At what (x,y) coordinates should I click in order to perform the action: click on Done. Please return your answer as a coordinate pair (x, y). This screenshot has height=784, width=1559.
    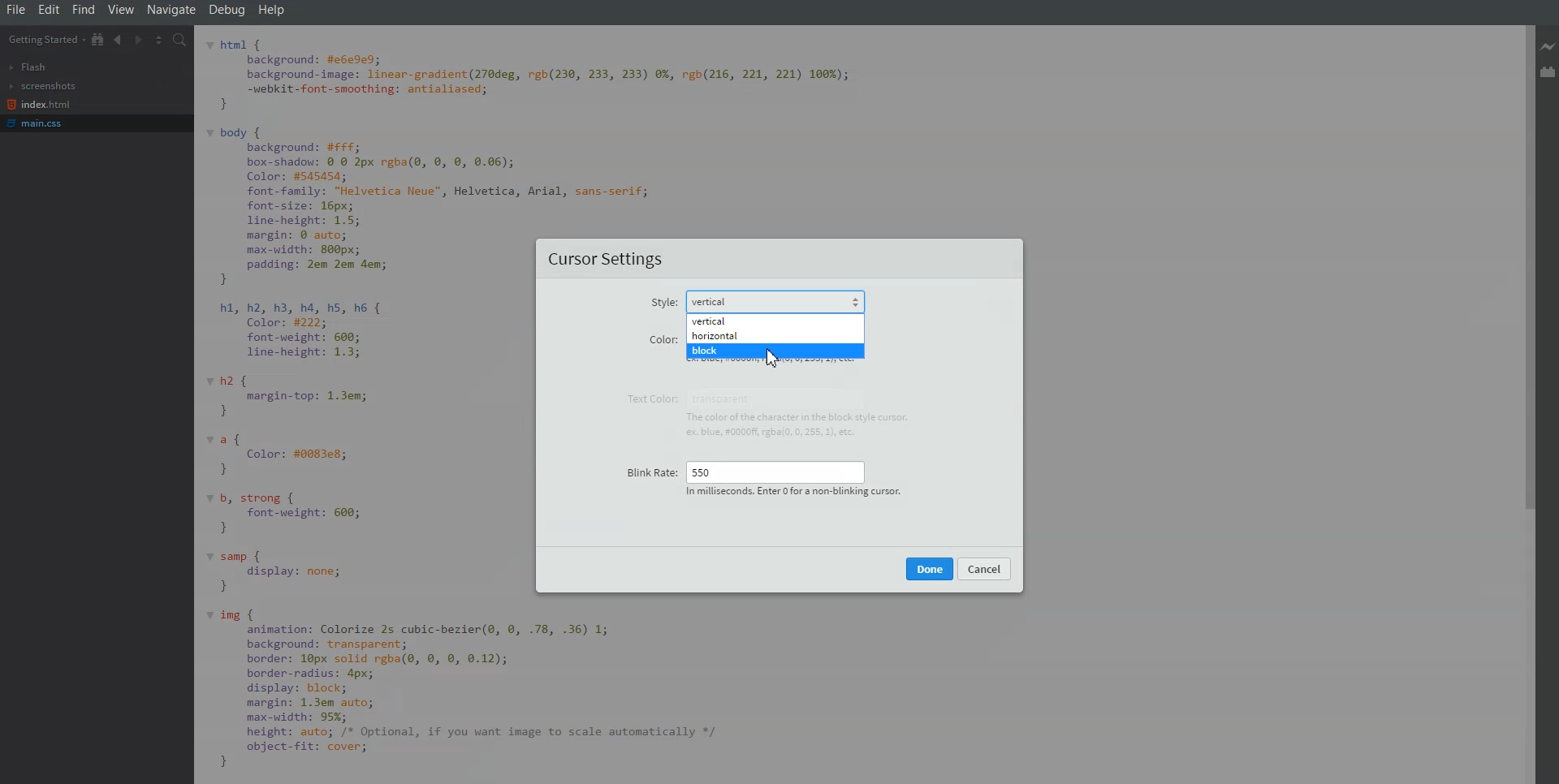
    Looking at the image, I should click on (930, 568).